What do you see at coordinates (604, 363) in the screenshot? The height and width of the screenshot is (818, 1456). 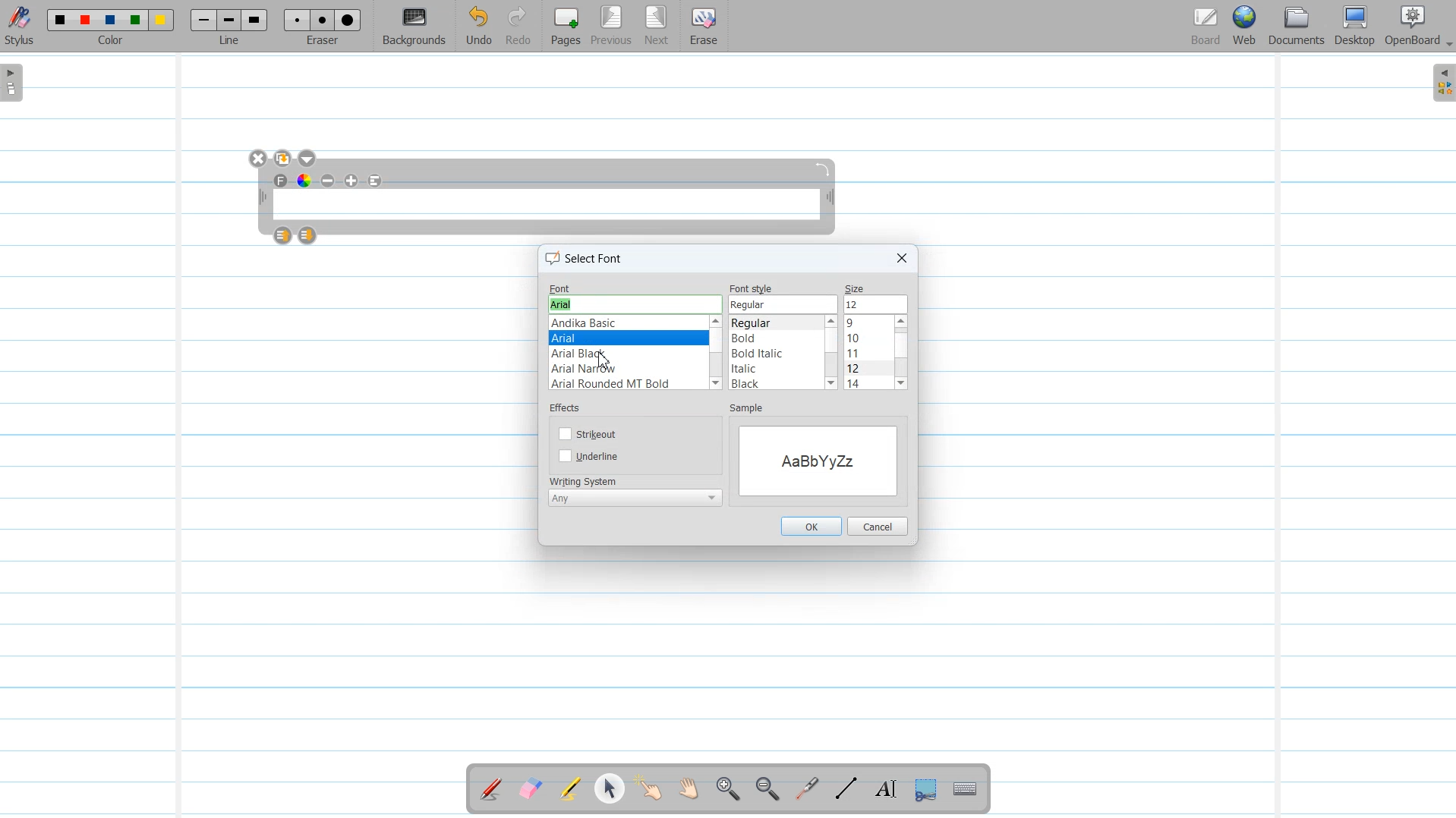 I see `cursor` at bounding box center [604, 363].